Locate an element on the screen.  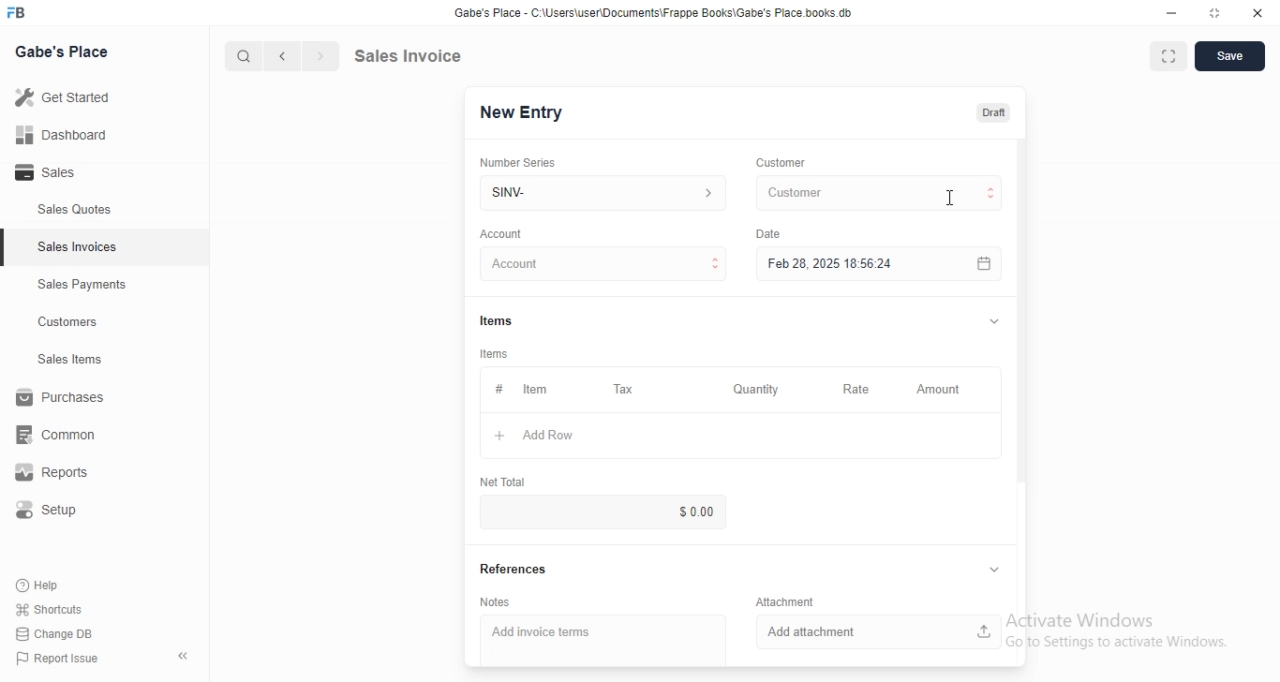
close is located at coordinates (1257, 14).